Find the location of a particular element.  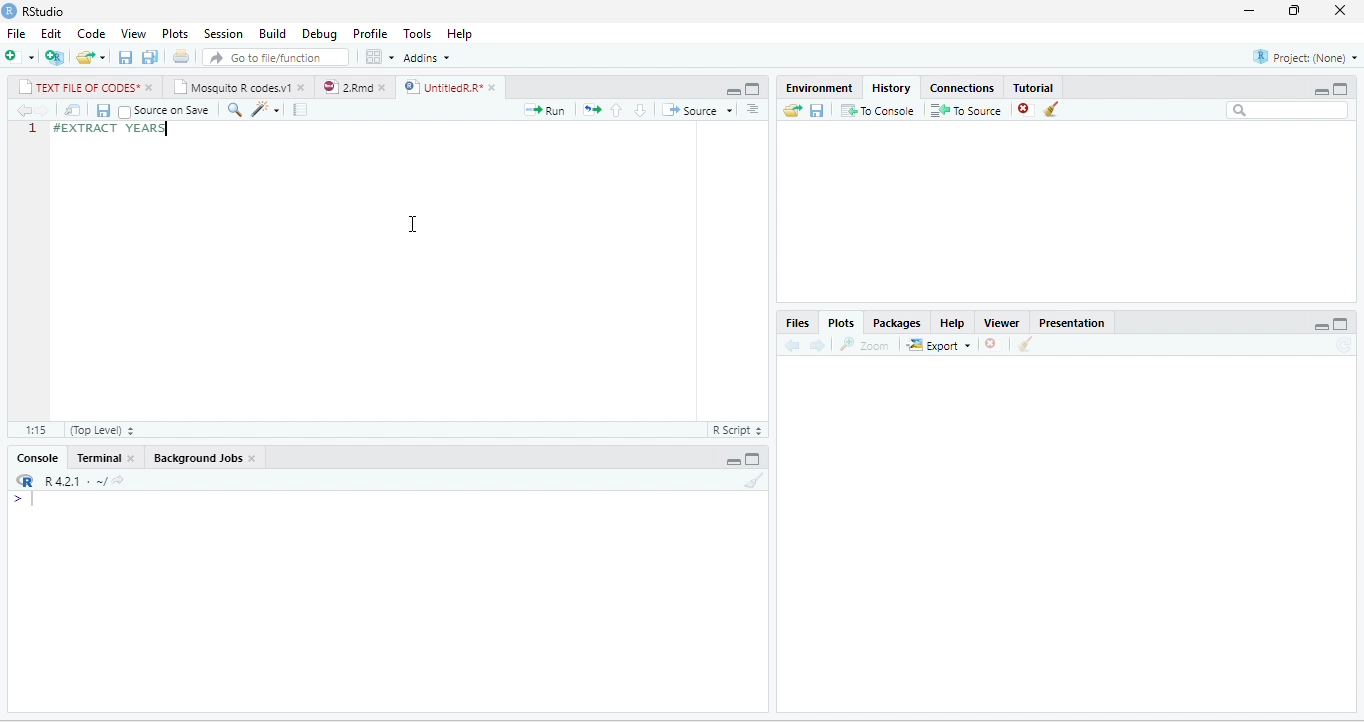

Build is located at coordinates (273, 34).